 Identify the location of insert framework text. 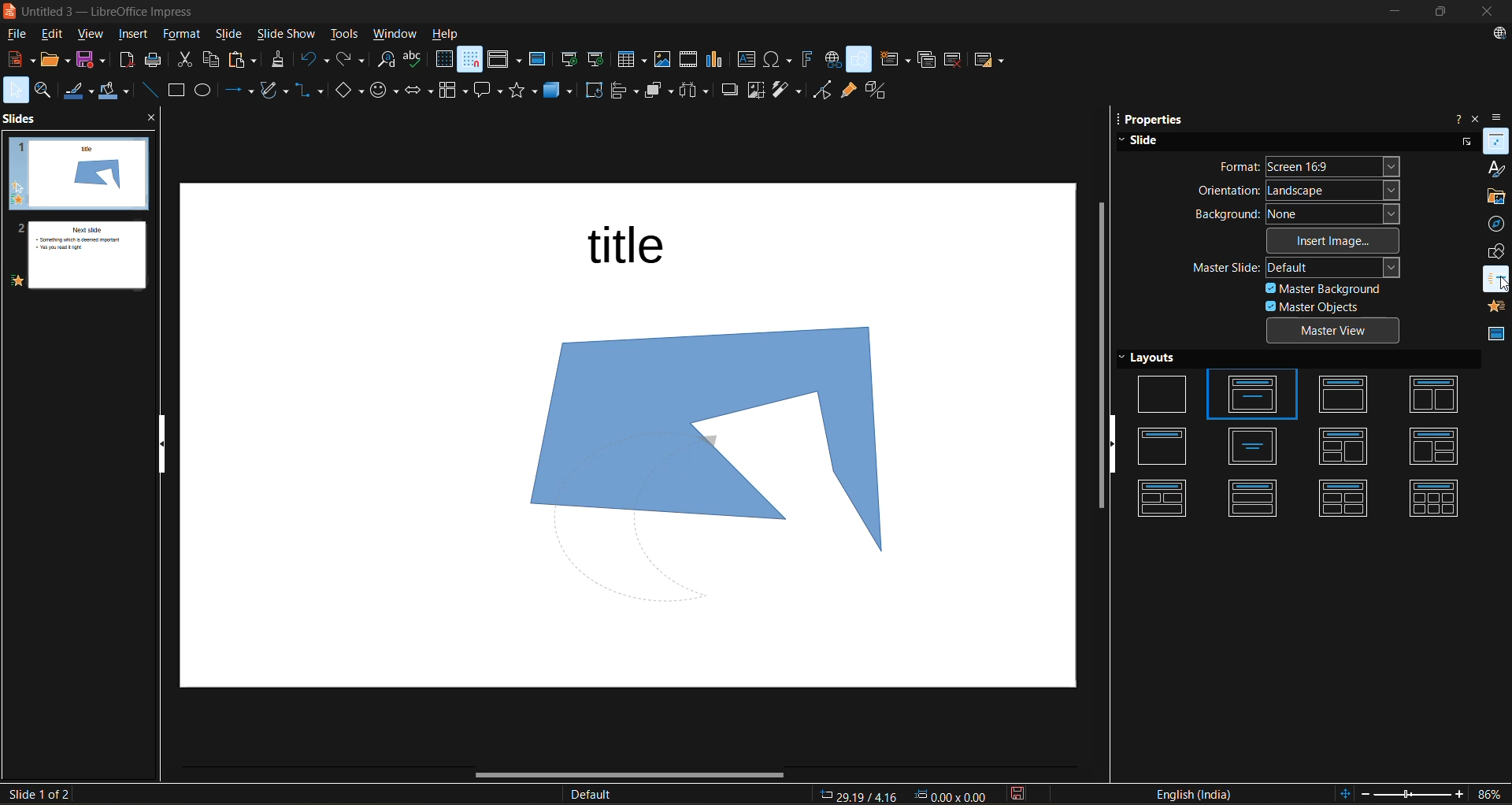
(809, 61).